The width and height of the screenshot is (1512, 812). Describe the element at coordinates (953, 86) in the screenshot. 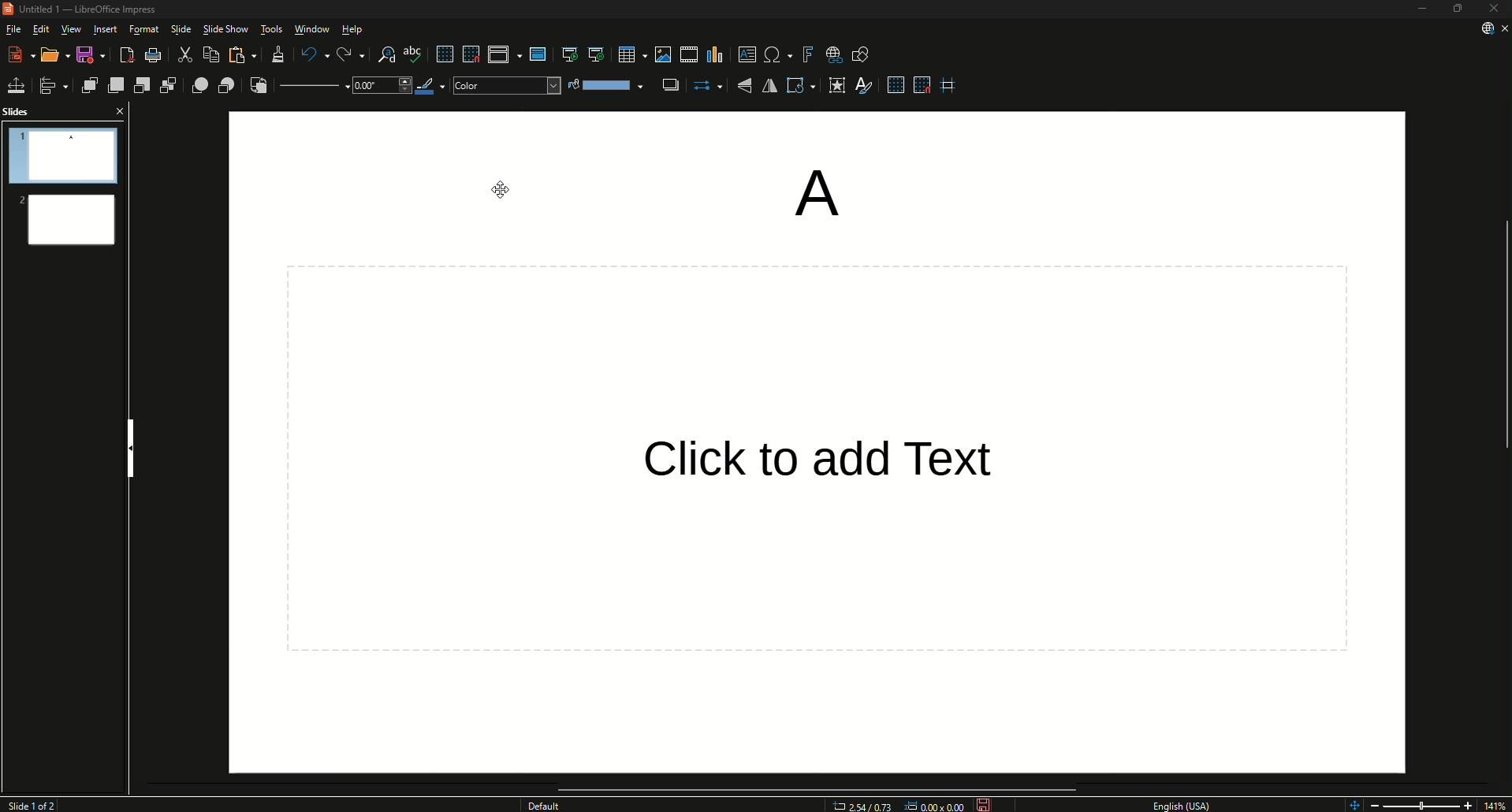

I see `Helplines While Moving` at that location.